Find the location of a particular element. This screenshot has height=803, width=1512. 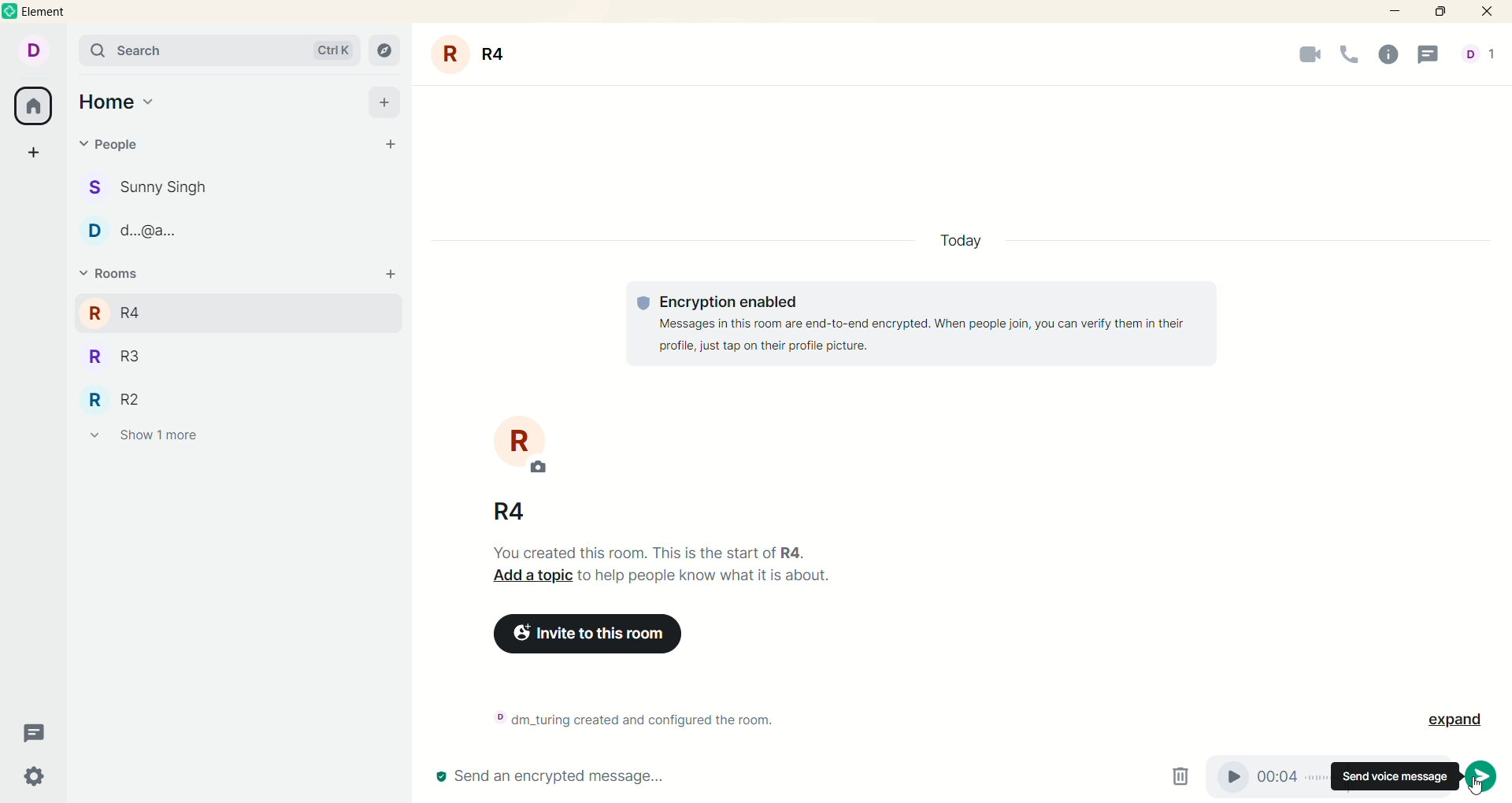

voice call is located at coordinates (1350, 56).